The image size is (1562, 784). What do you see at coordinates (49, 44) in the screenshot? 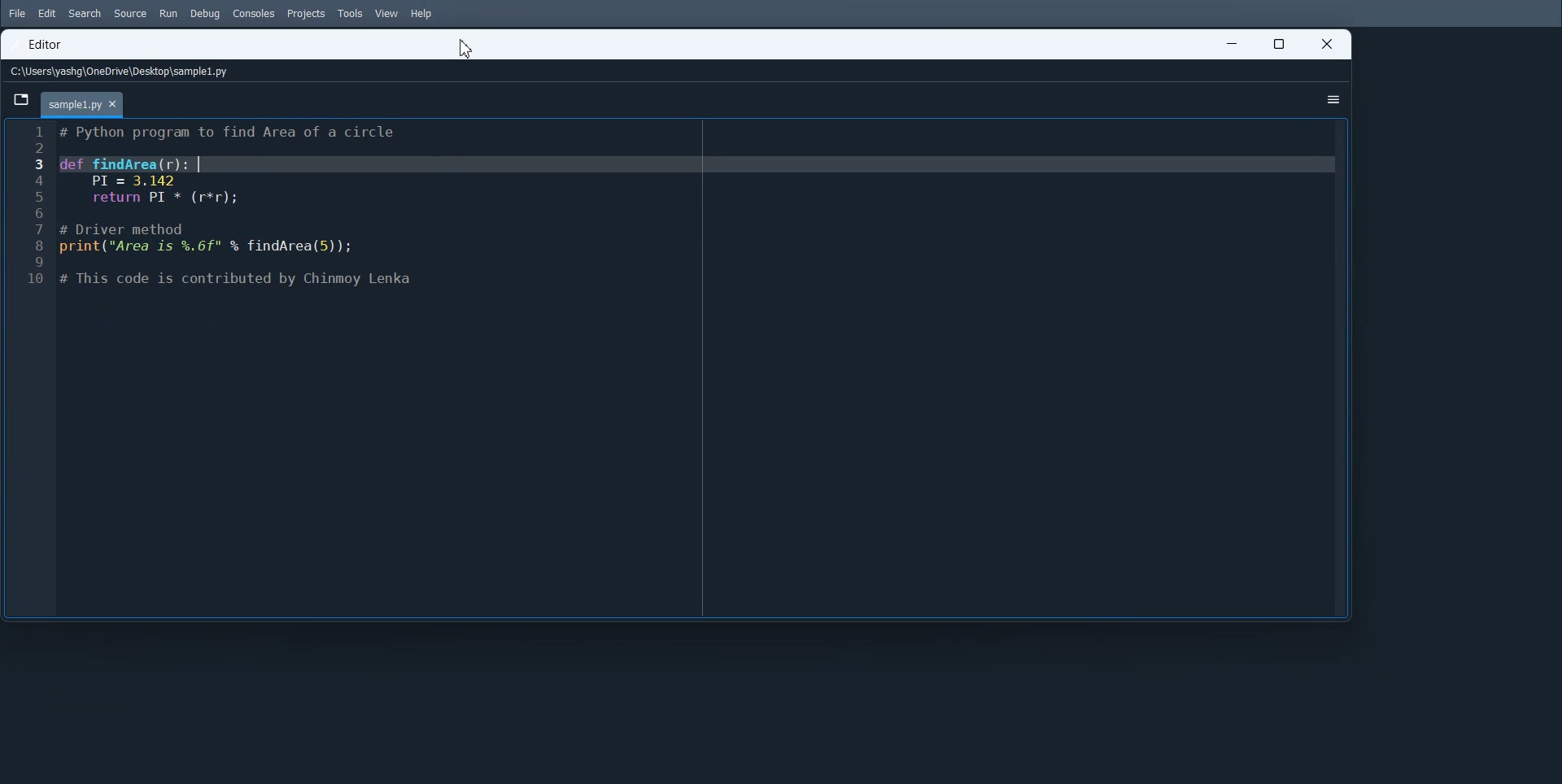
I see `Editor` at bounding box center [49, 44].